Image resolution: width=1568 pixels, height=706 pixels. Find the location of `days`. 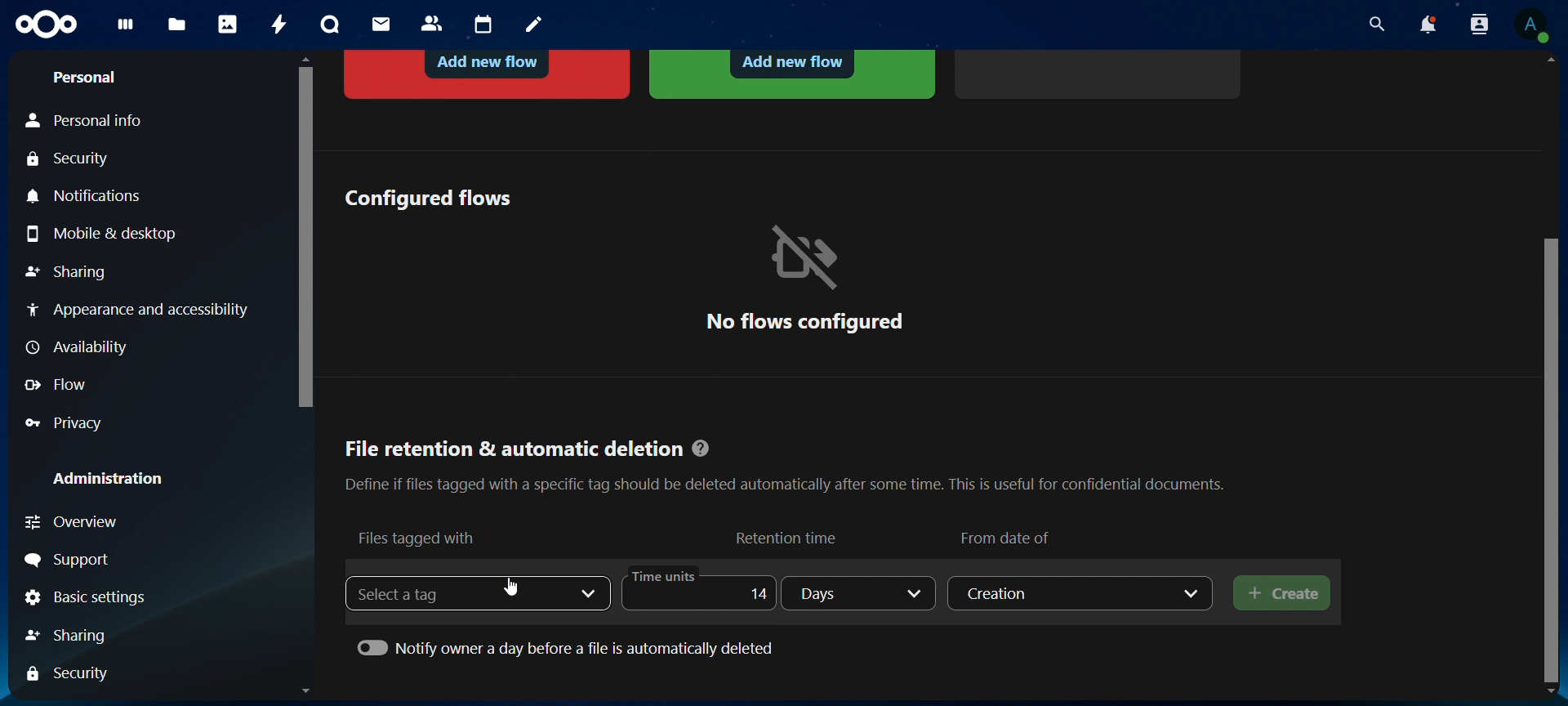

days is located at coordinates (861, 593).